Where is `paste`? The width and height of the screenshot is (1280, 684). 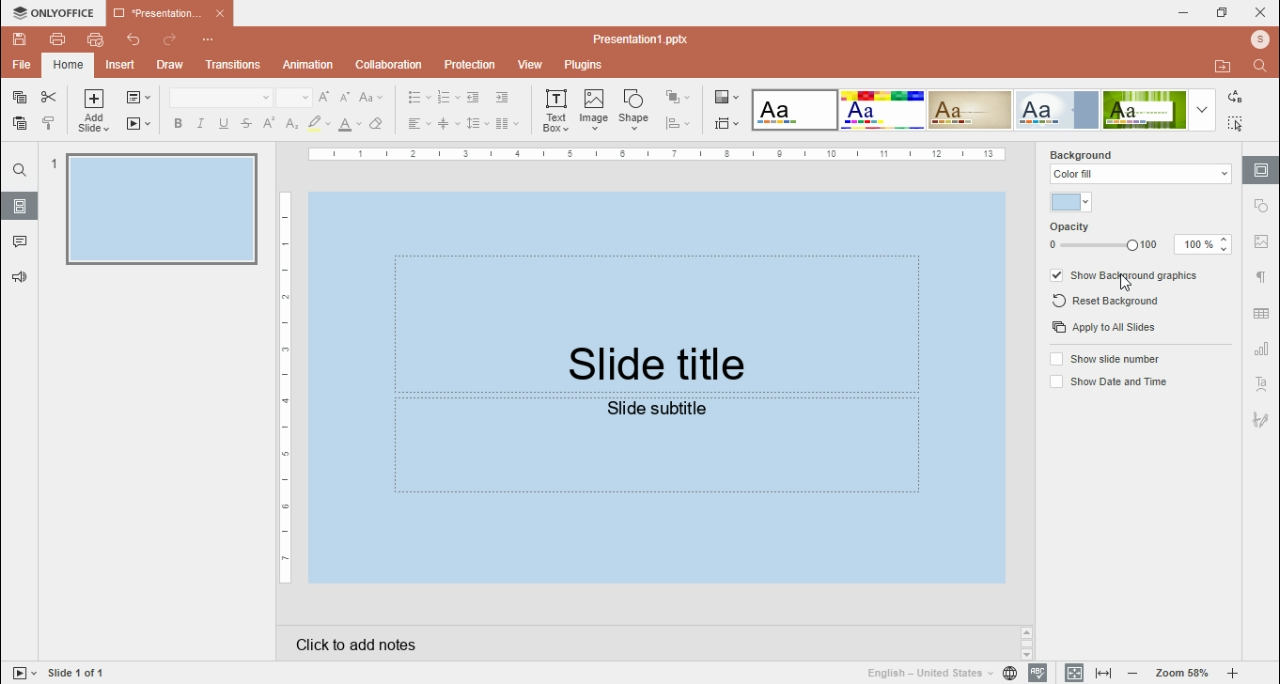 paste is located at coordinates (19, 123).